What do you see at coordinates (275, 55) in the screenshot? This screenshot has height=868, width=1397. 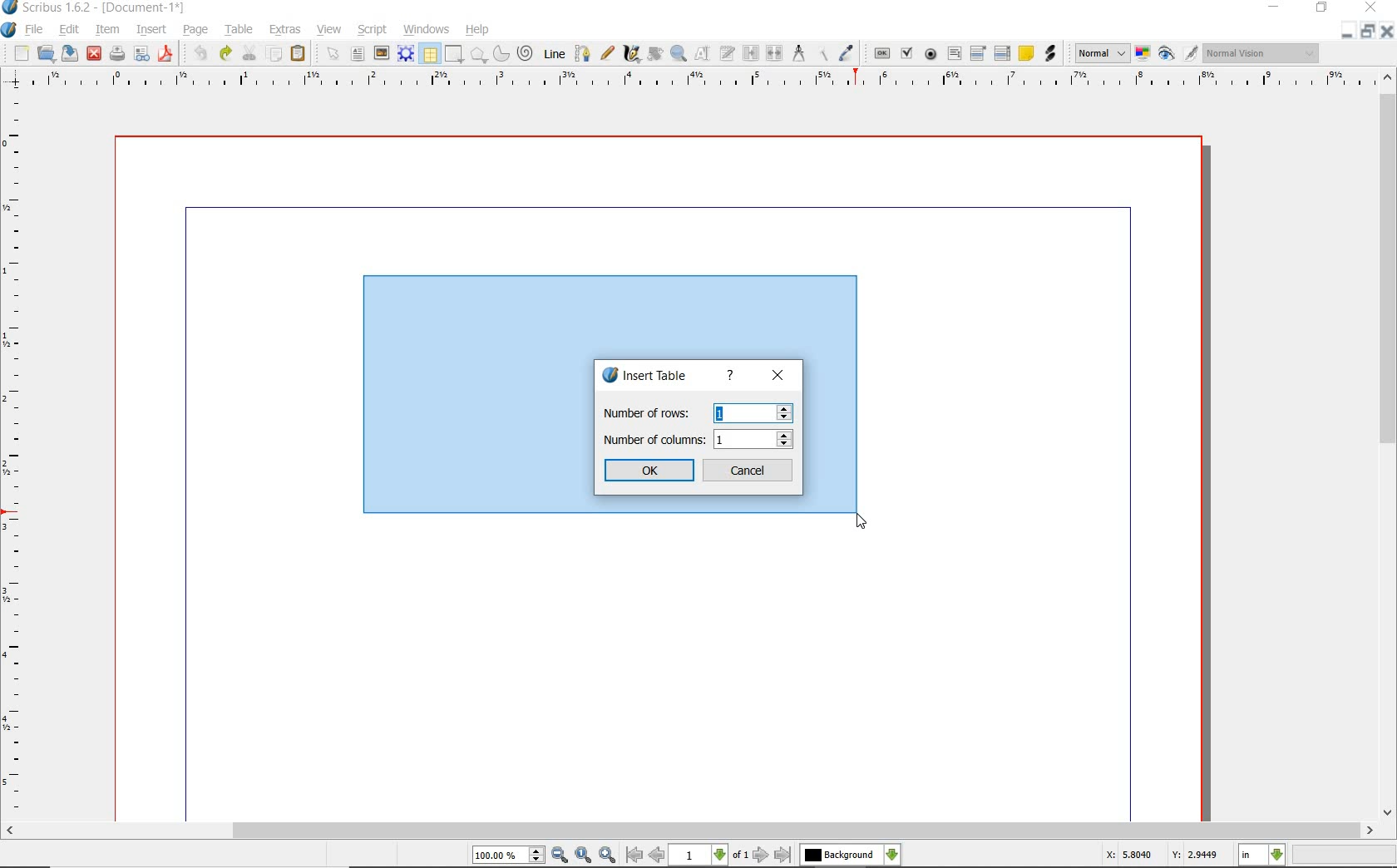 I see `copy` at bounding box center [275, 55].